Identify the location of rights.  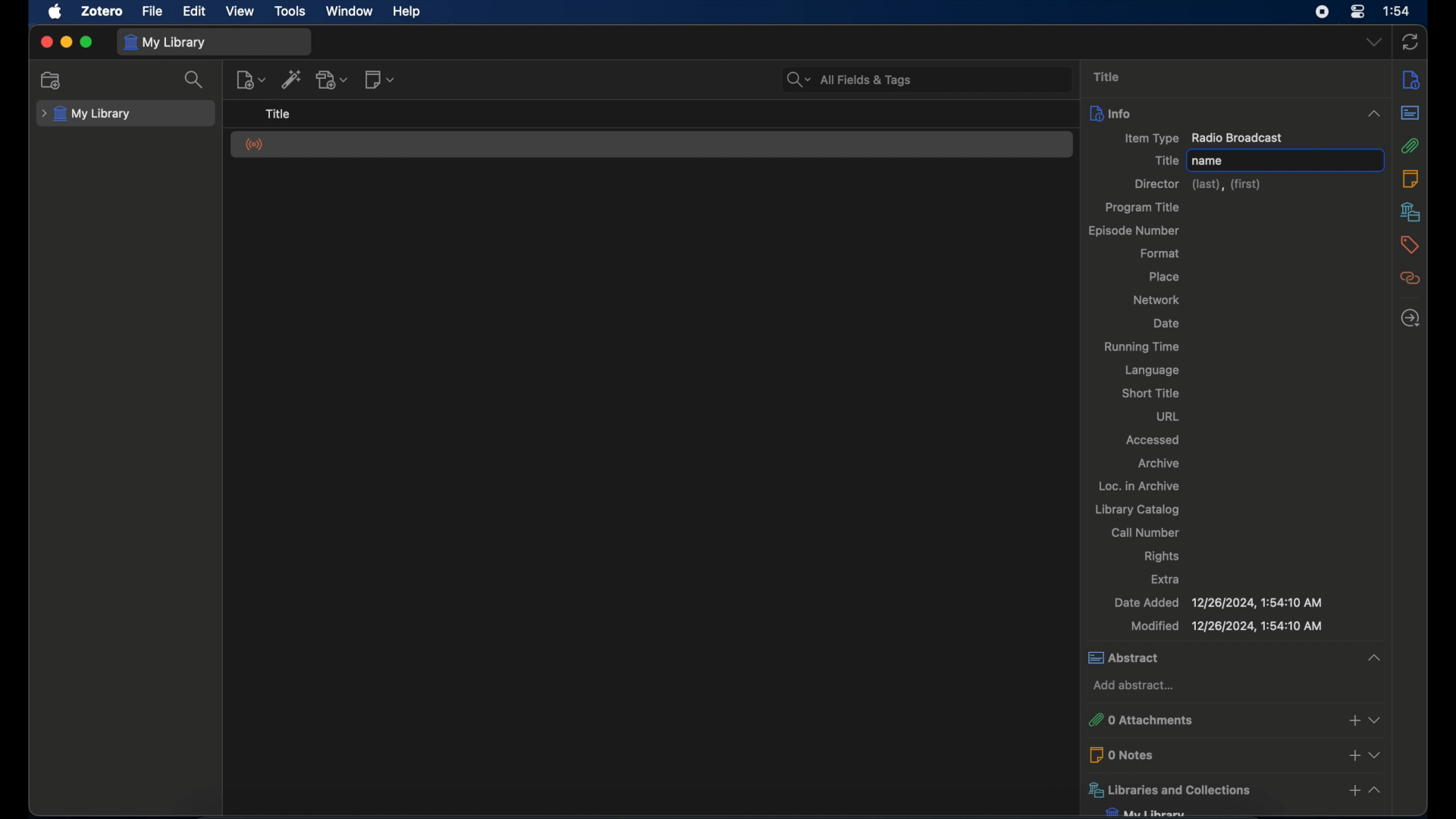
(1163, 557).